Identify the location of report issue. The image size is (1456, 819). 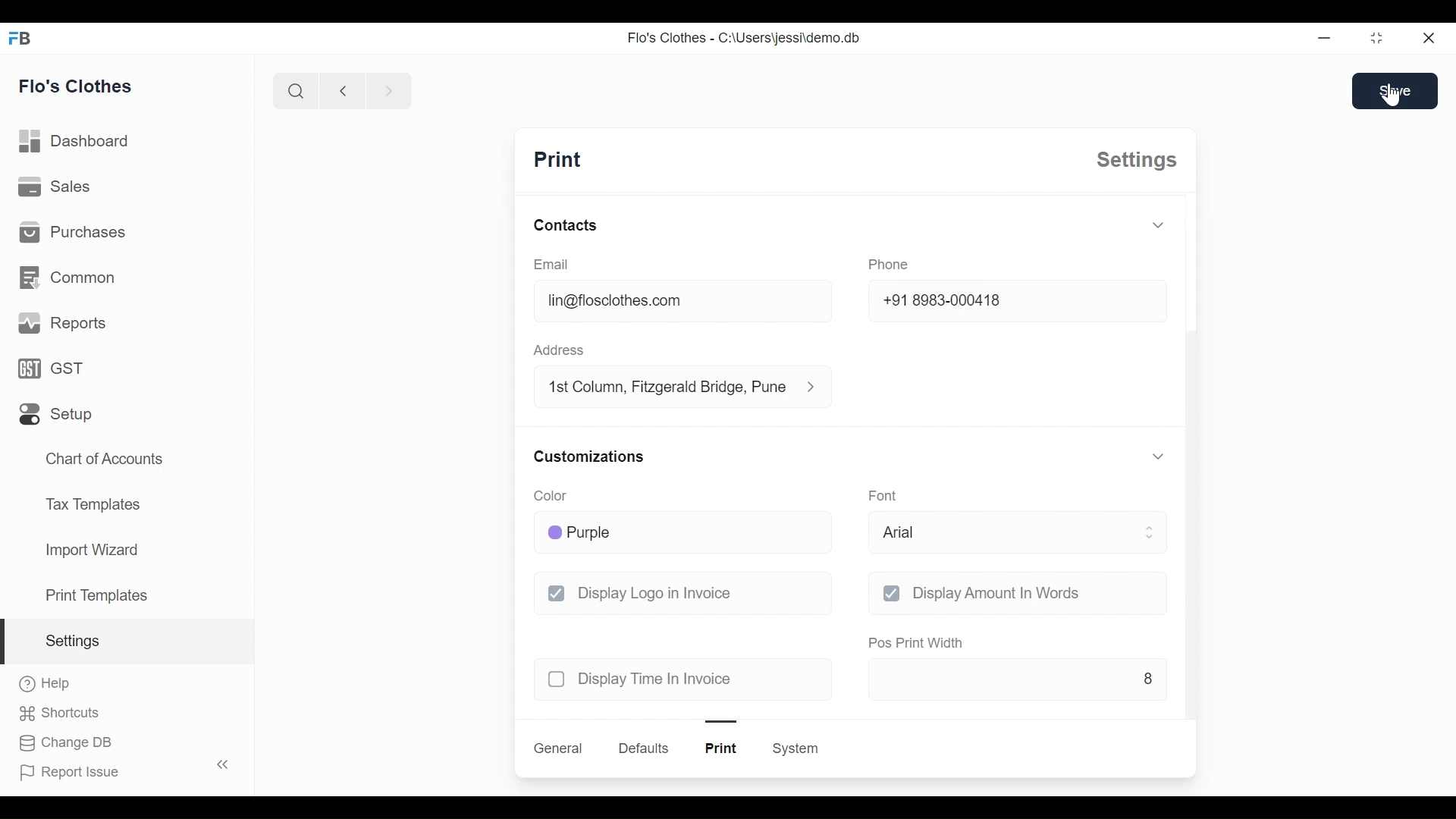
(70, 773).